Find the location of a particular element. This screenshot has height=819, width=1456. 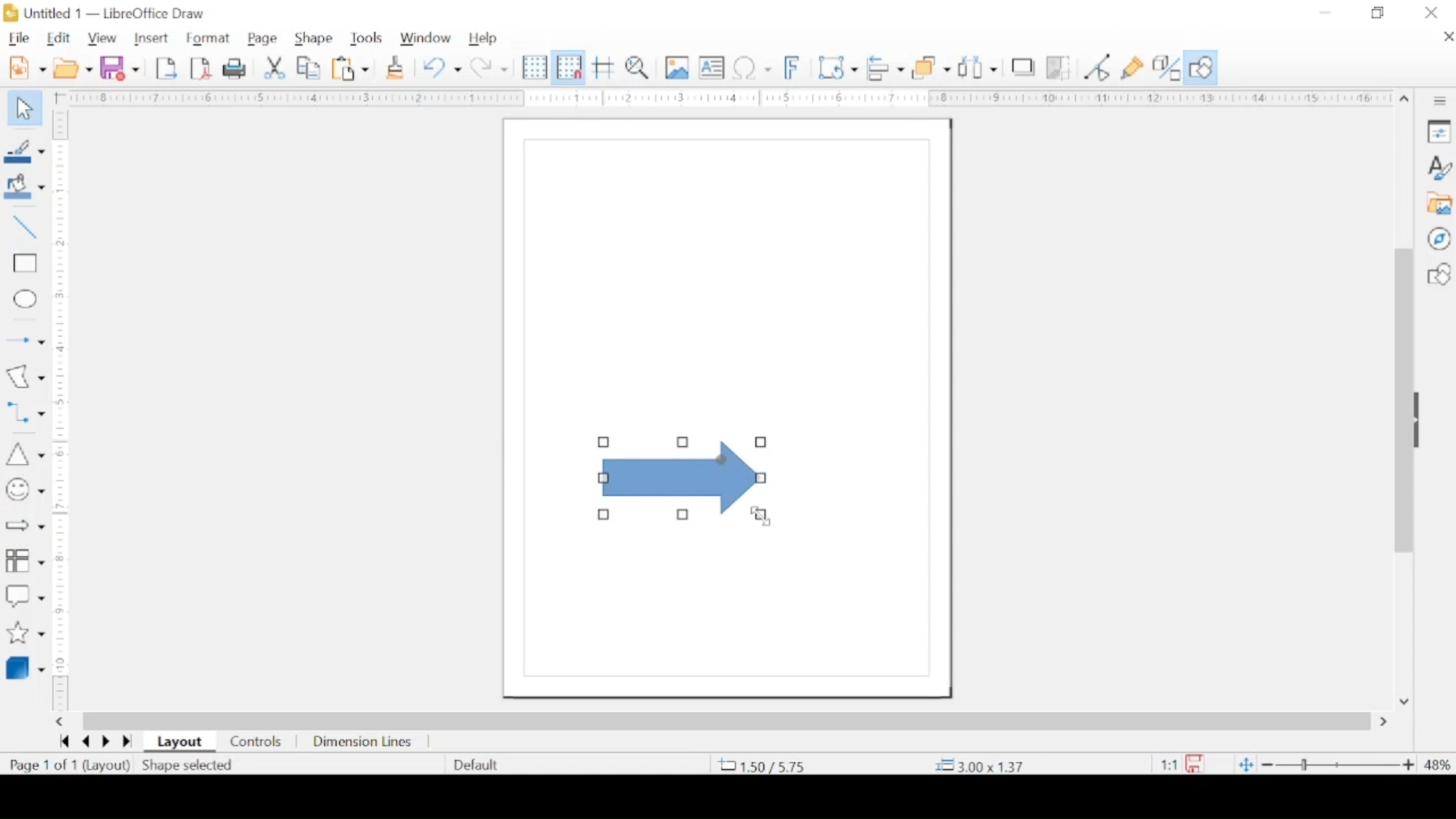

insert textbox is located at coordinates (711, 67).